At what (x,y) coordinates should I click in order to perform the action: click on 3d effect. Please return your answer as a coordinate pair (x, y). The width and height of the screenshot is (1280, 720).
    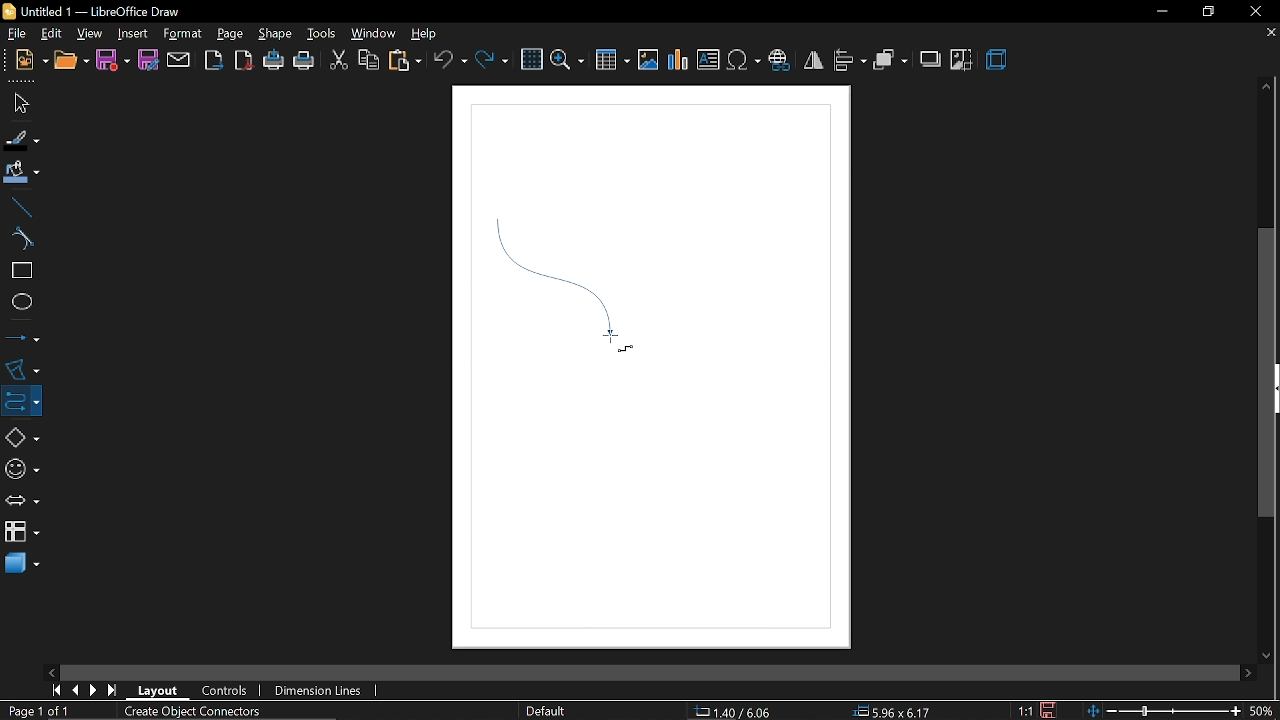
    Looking at the image, I should click on (997, 62).